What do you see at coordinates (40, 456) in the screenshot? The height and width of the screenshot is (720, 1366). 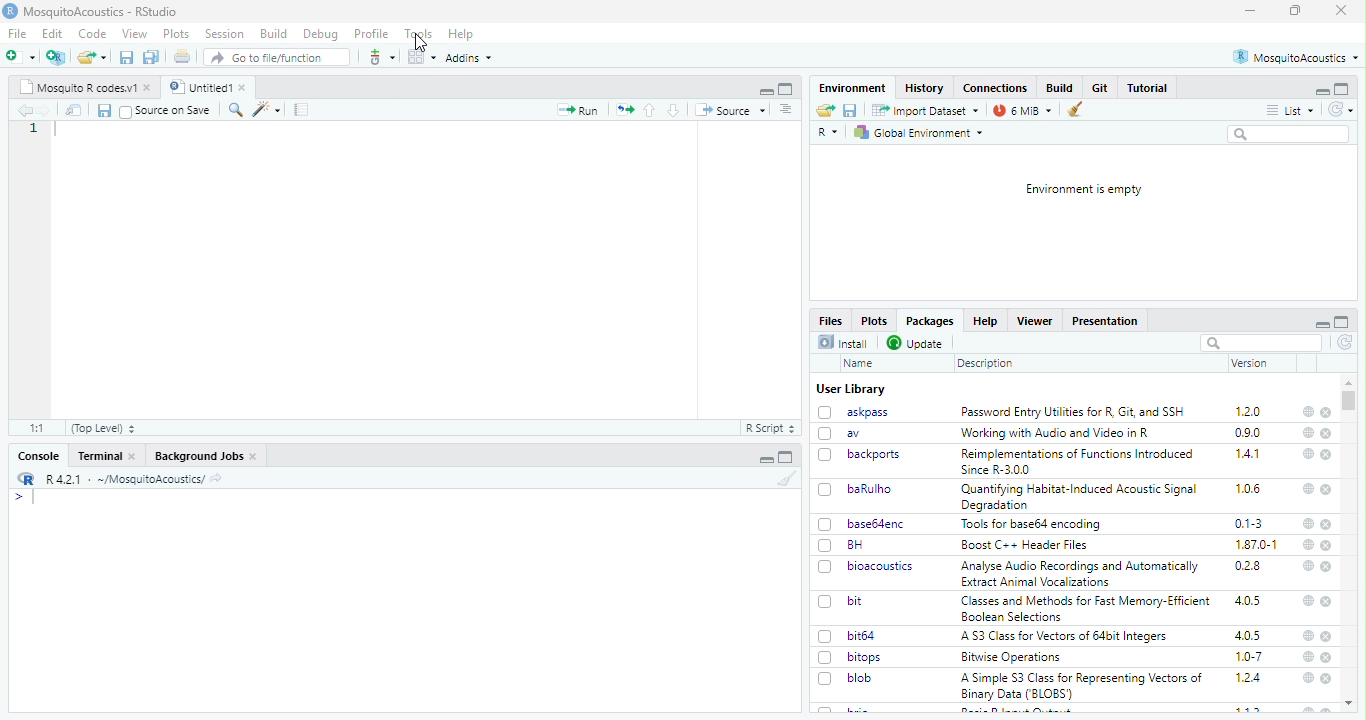 I see `Console` at bounding box center [40, 456].